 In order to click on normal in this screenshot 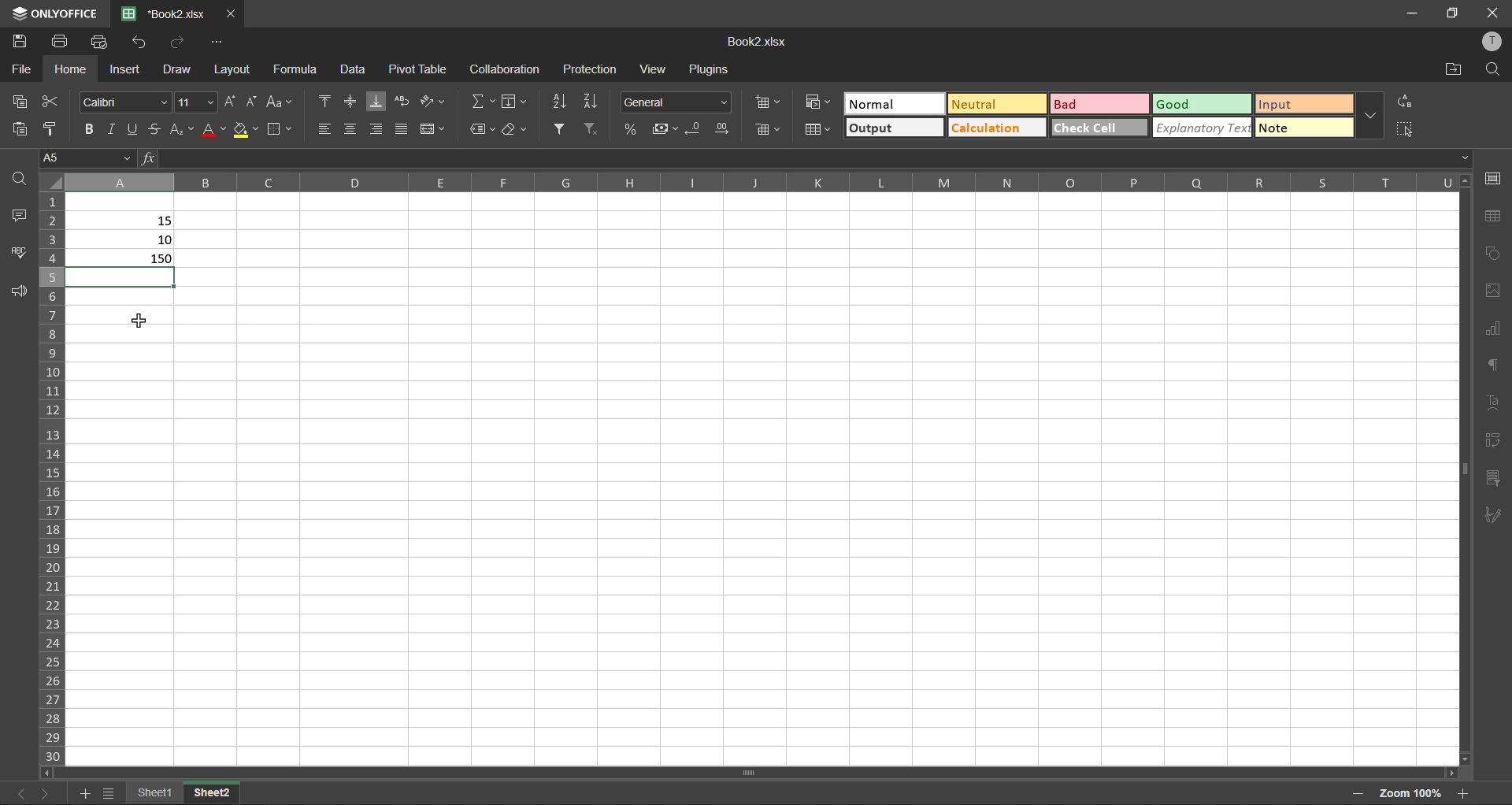, I will do `click(891, 104)`.